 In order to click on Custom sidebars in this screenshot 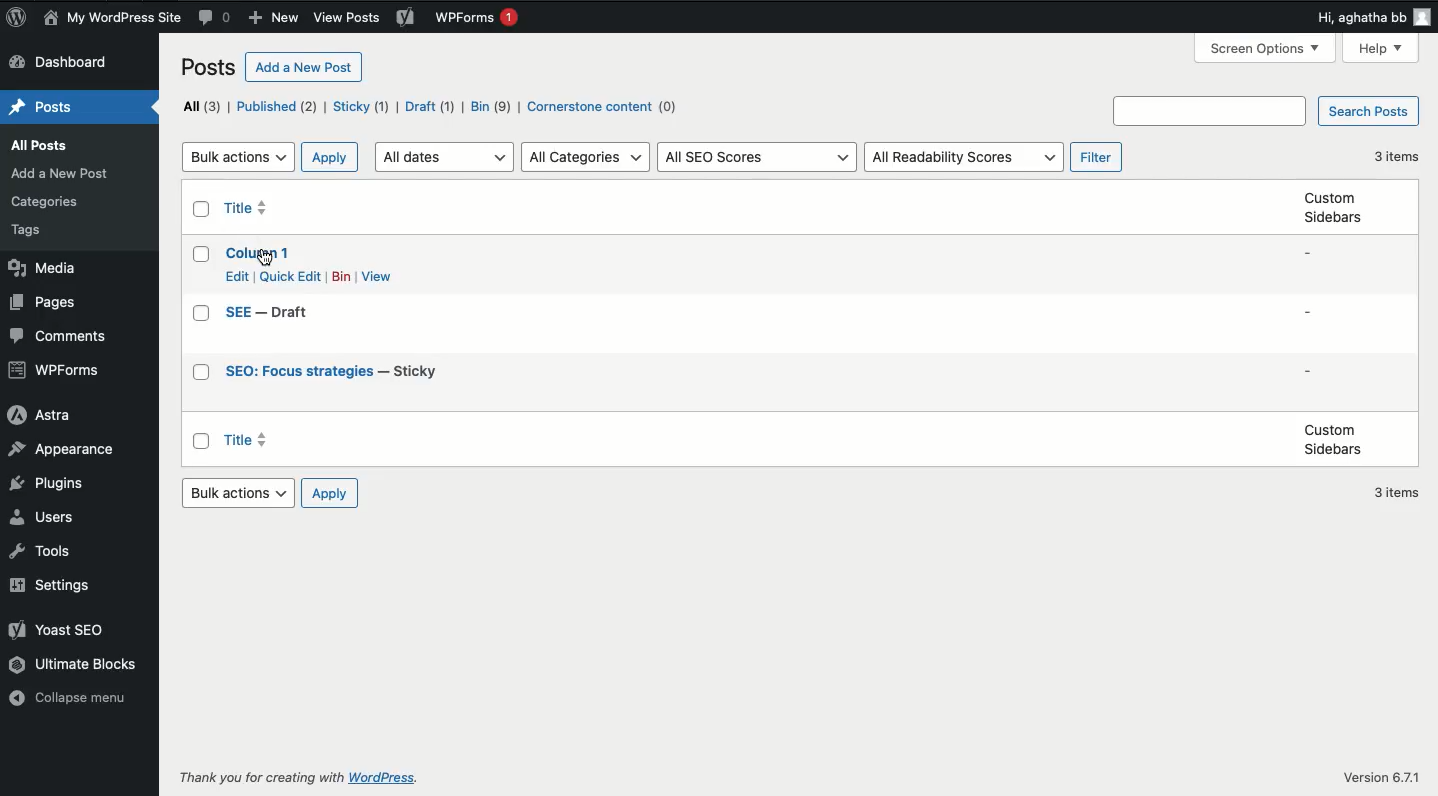, I will do `click(1334, 208)`.